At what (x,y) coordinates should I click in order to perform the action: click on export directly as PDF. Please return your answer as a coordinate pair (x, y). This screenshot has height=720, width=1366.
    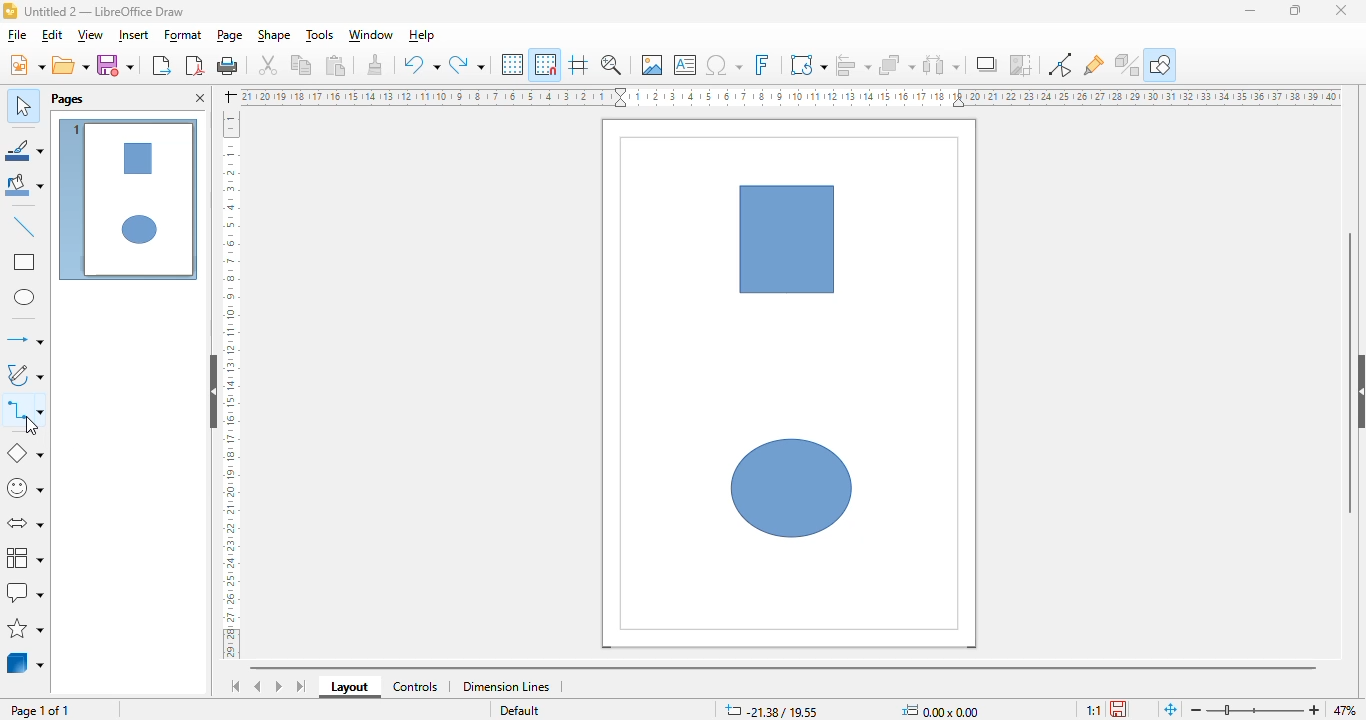
    Looking at the image, I should click on (196, 65).